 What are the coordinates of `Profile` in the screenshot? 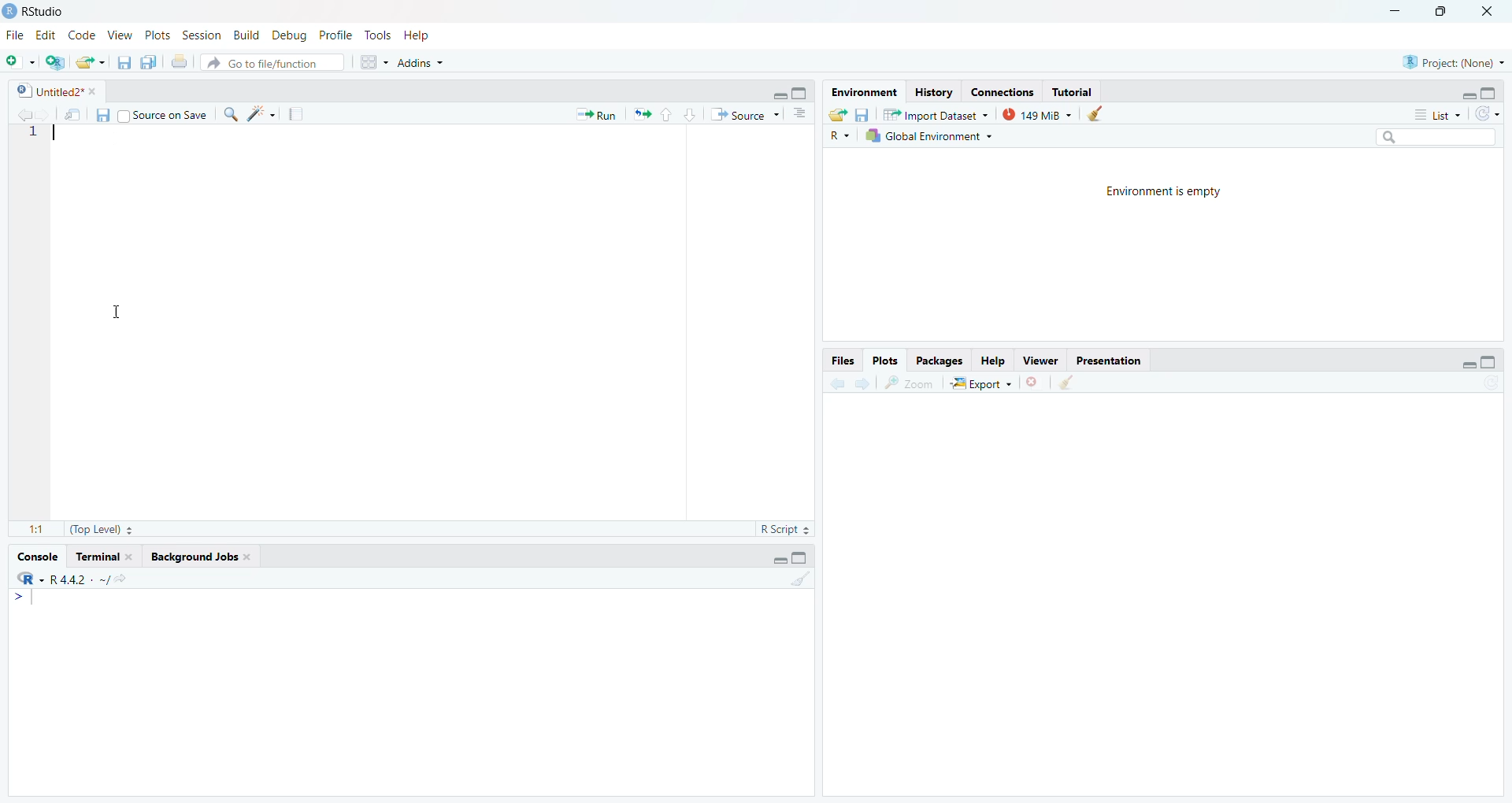 It's located at (334, 33).